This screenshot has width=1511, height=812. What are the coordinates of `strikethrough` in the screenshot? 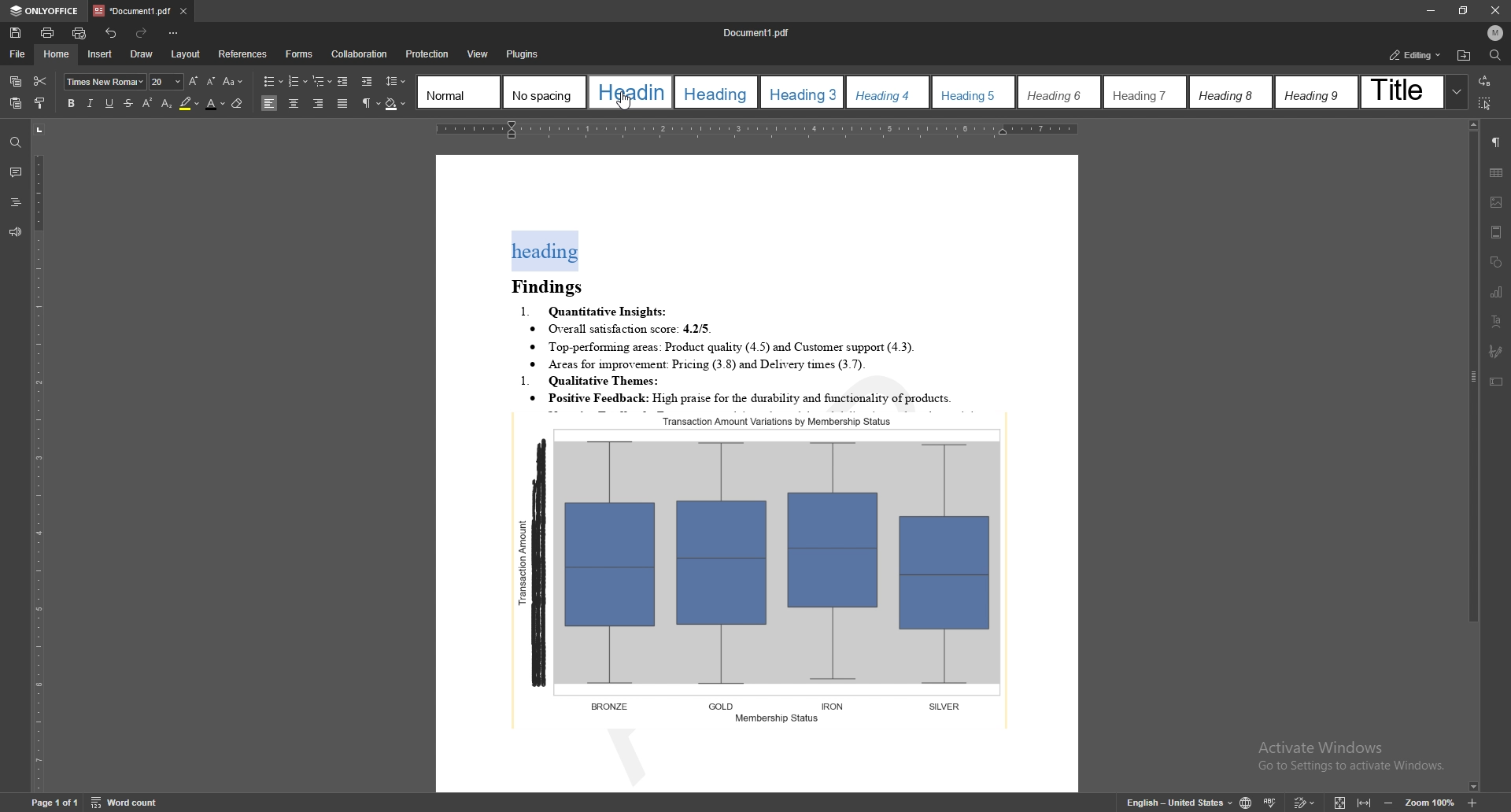 It's located at (127, 104).